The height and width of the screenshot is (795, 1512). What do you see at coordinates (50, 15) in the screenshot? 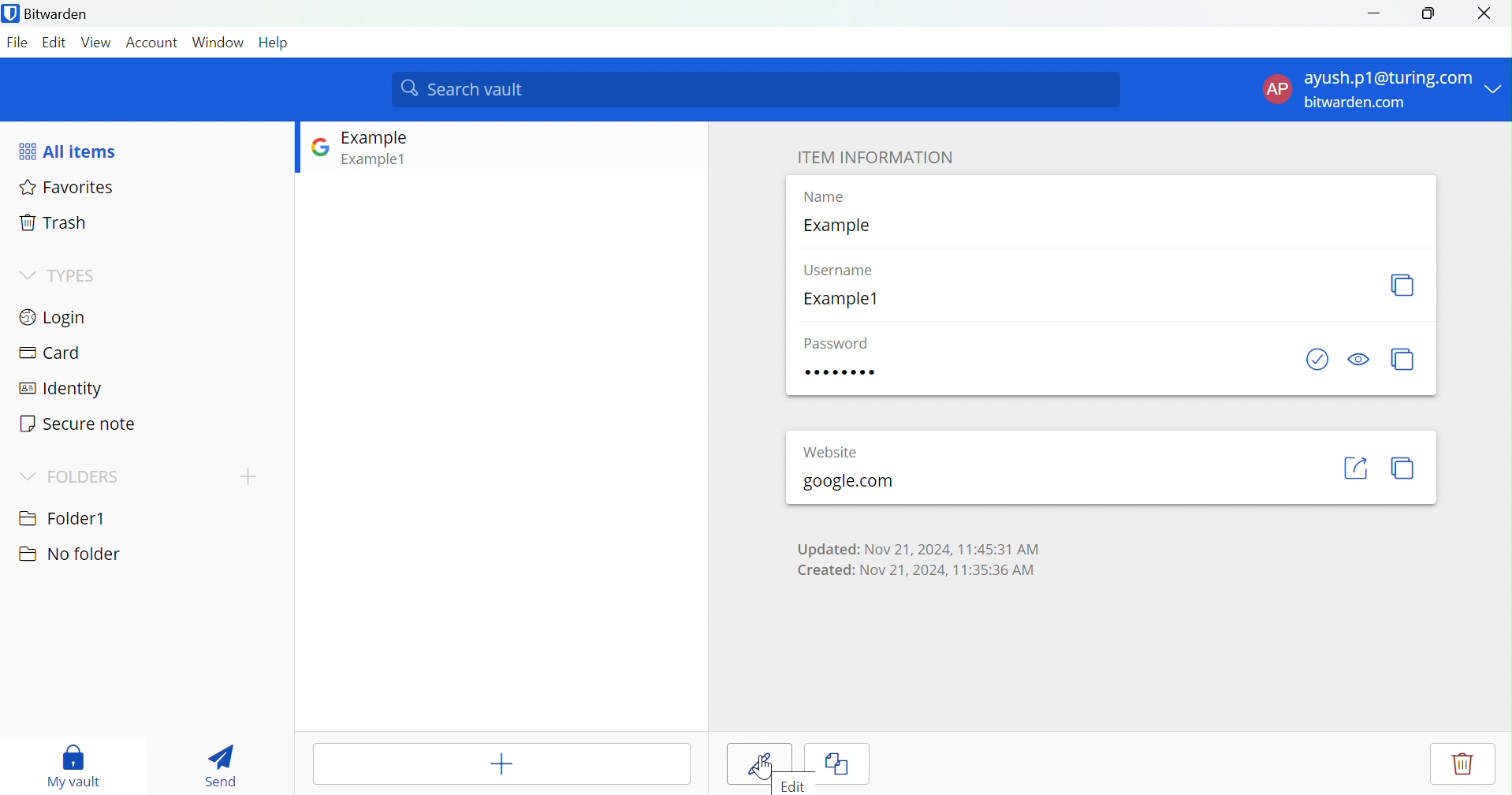
I see `Bitwarden` at bounding box center [50, 15].